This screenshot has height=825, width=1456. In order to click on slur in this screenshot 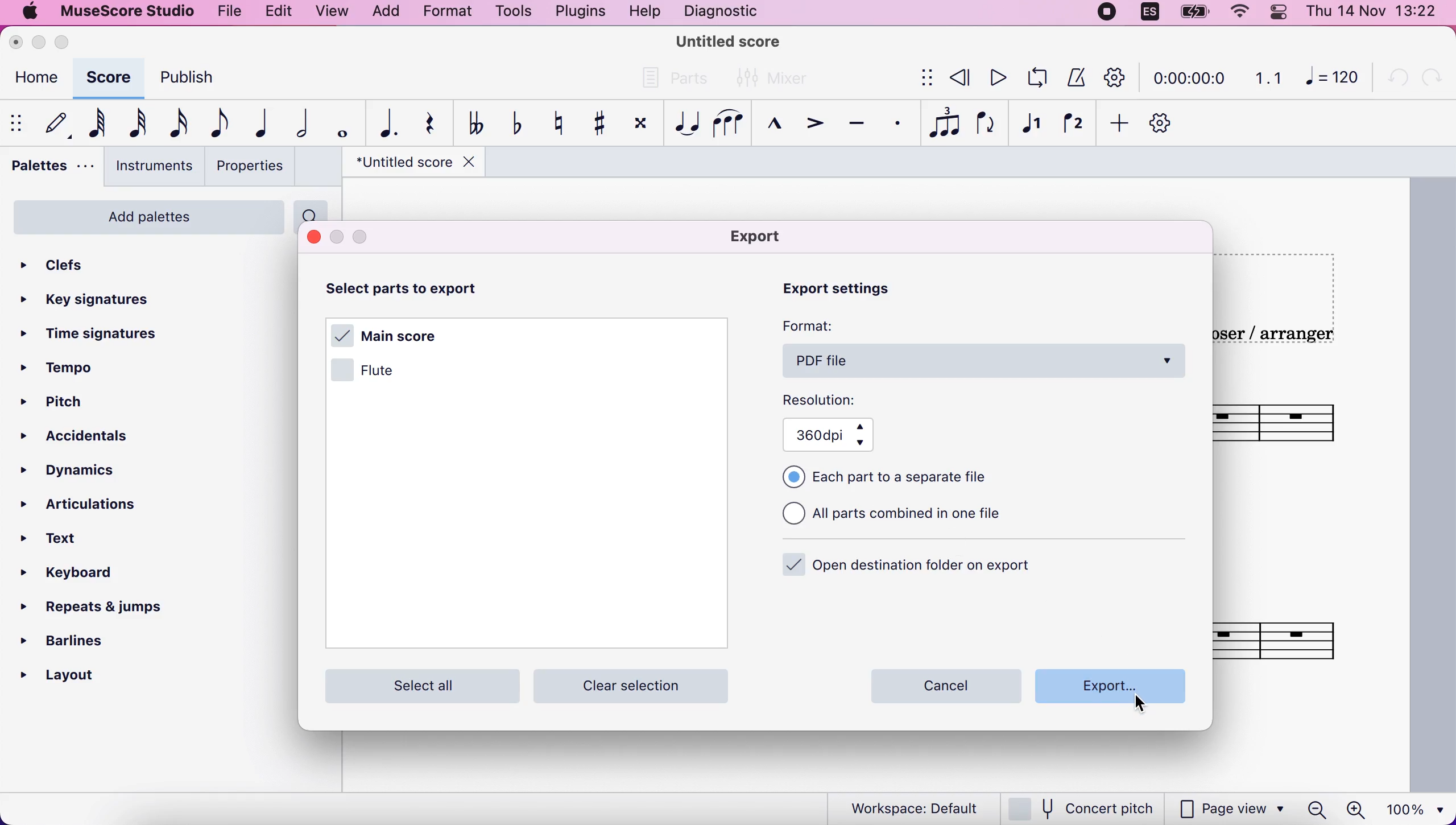, I will do `click(726, 125)`.